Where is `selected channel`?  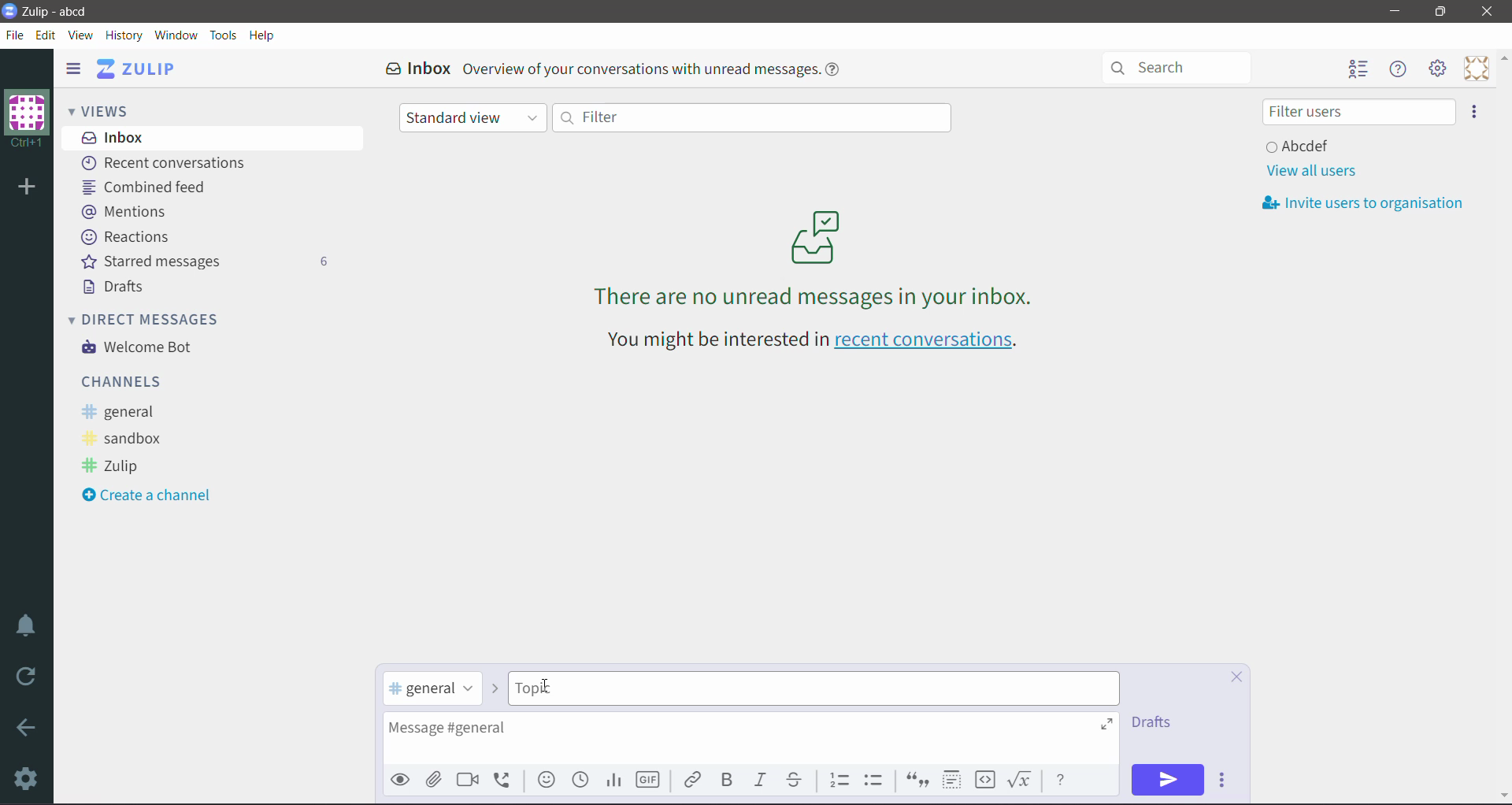
selected channel is located at coordinates (433, 689).